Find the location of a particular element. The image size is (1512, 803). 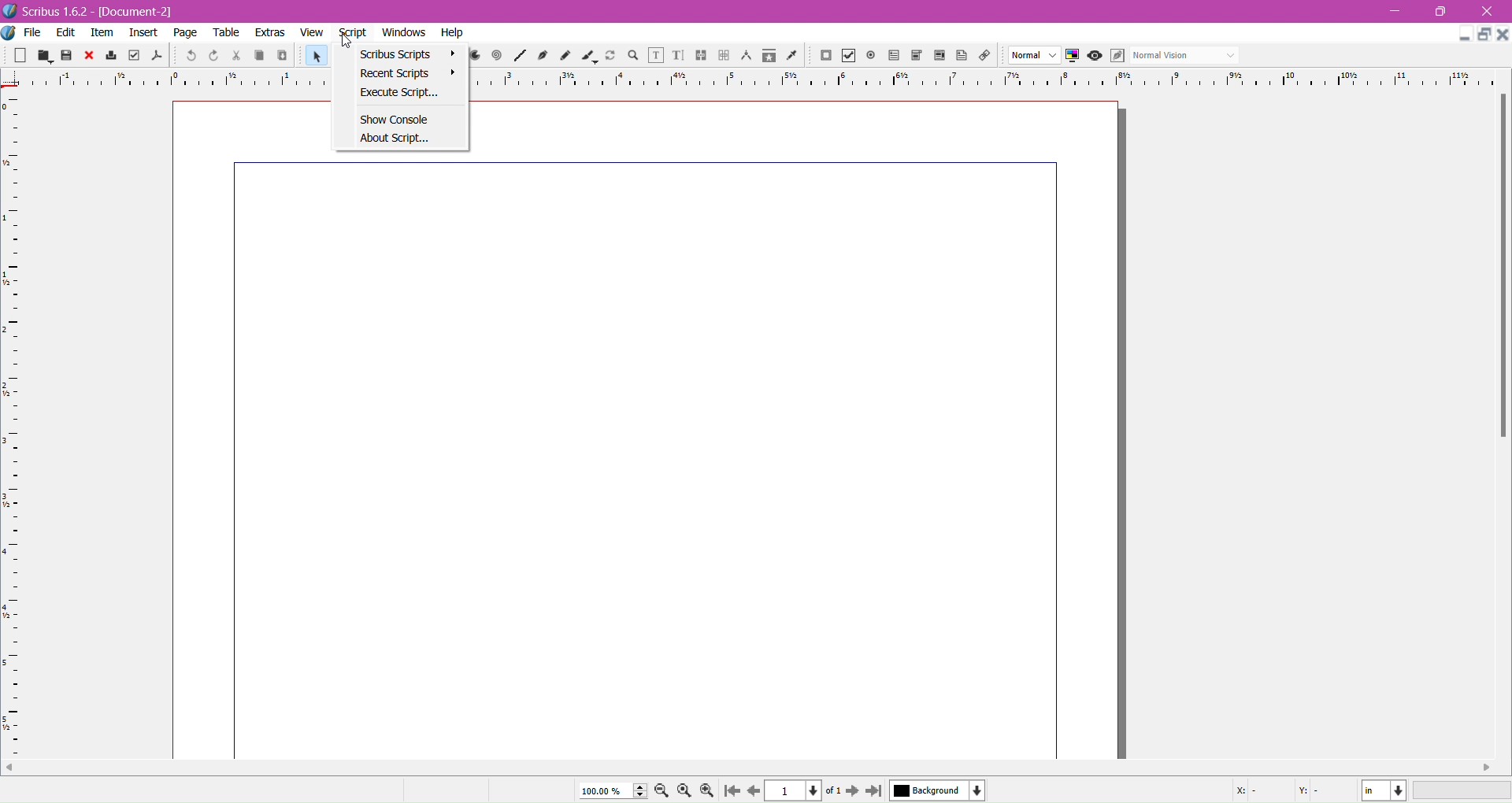

Item is located at coordinates (102, 33).